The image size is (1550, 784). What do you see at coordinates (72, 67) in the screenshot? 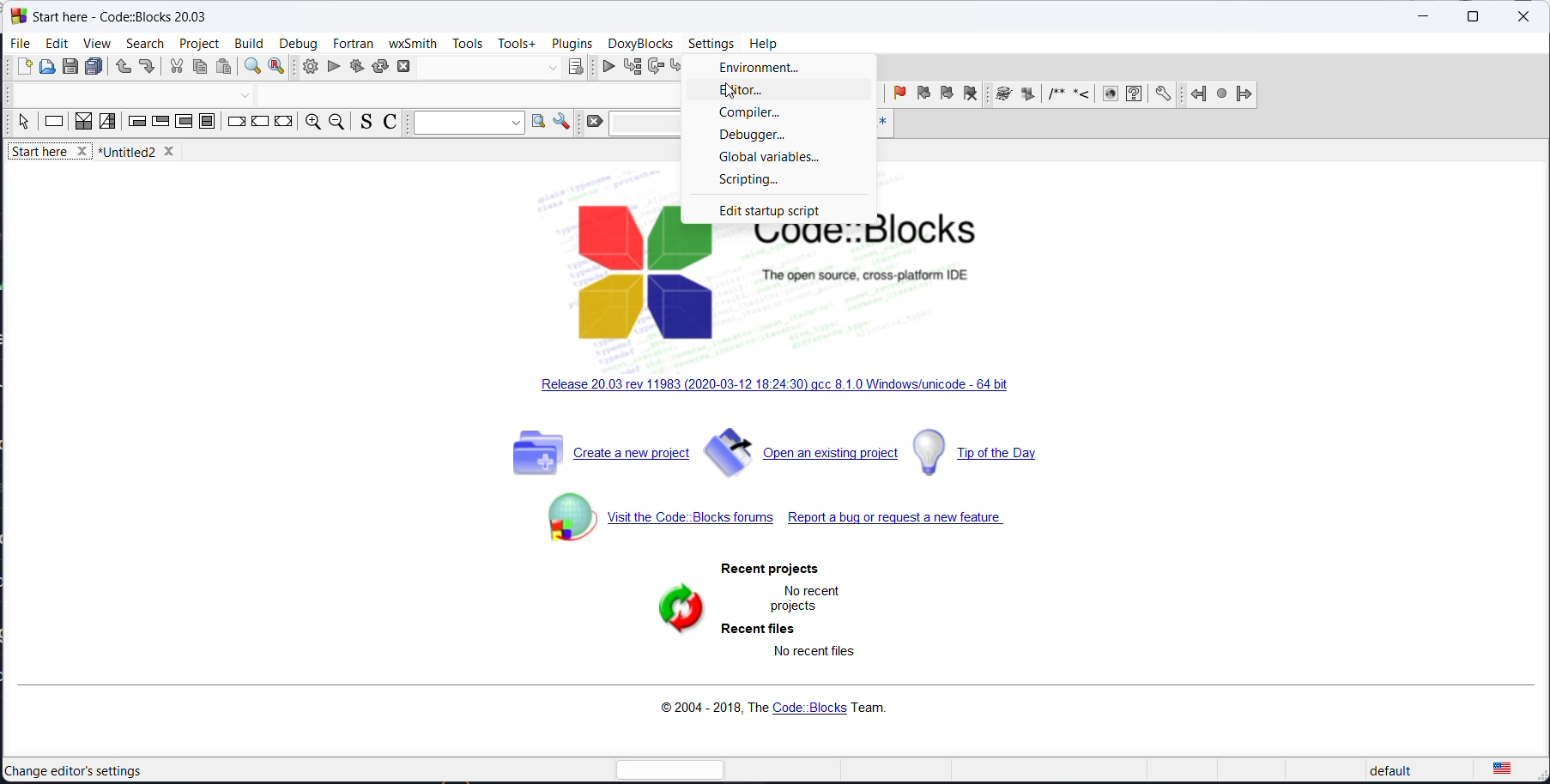
I see `save` at bounding box center [72, 67].